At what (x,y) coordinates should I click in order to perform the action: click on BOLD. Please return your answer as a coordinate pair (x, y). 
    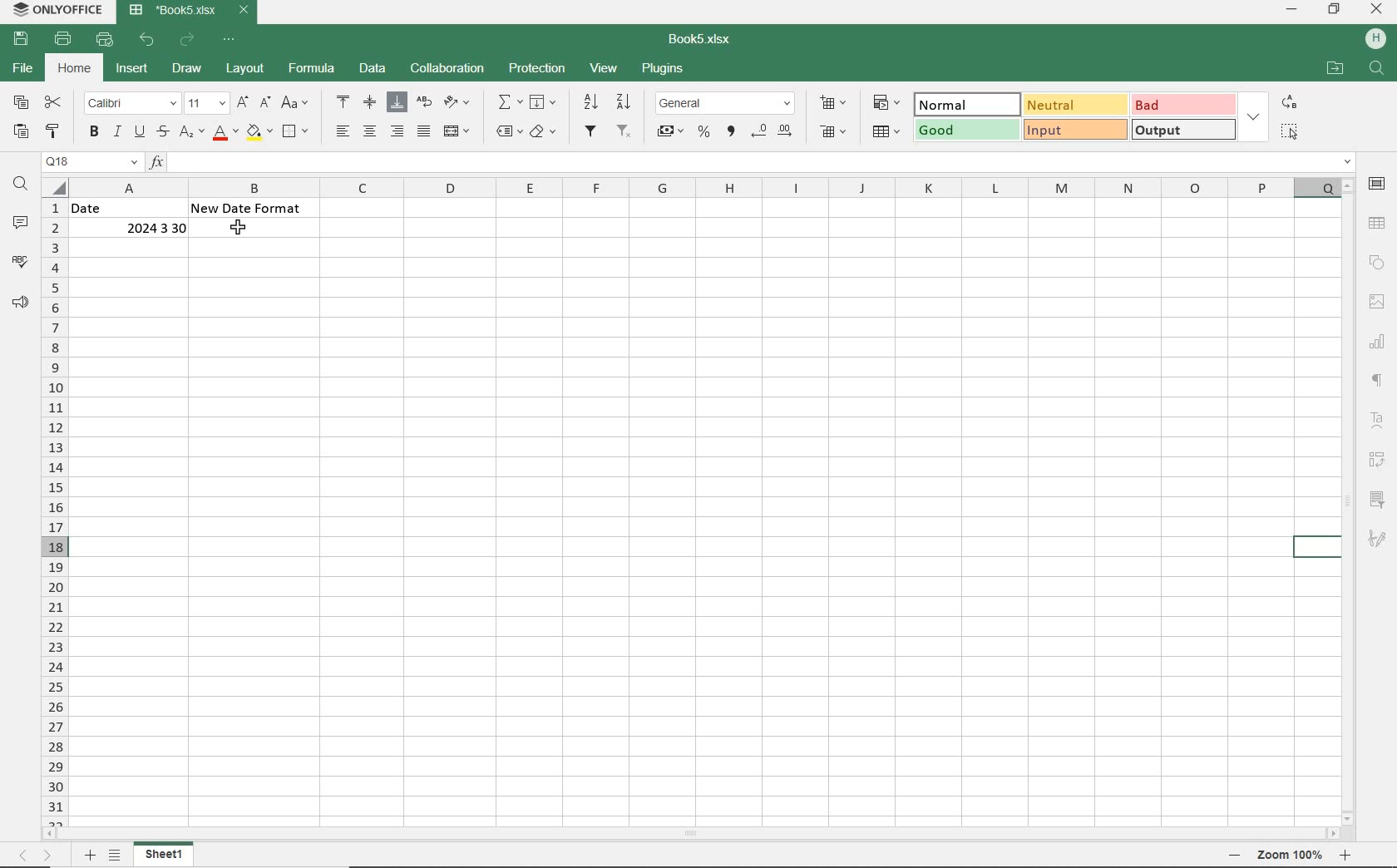
    Looking at the image, I should click on (95, 132).